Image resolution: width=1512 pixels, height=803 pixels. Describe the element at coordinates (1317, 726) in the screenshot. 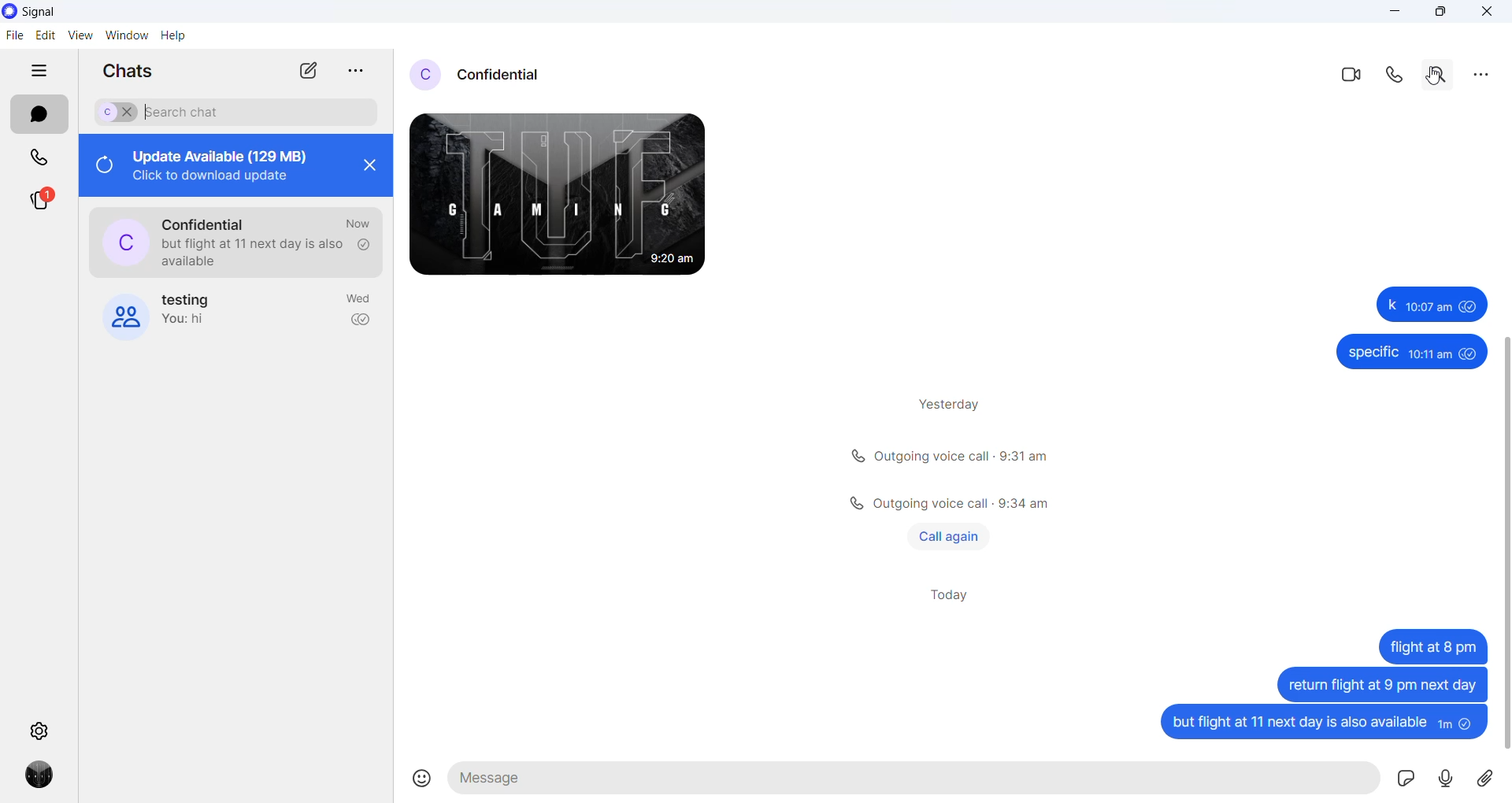

I see `sent messages` at that location.